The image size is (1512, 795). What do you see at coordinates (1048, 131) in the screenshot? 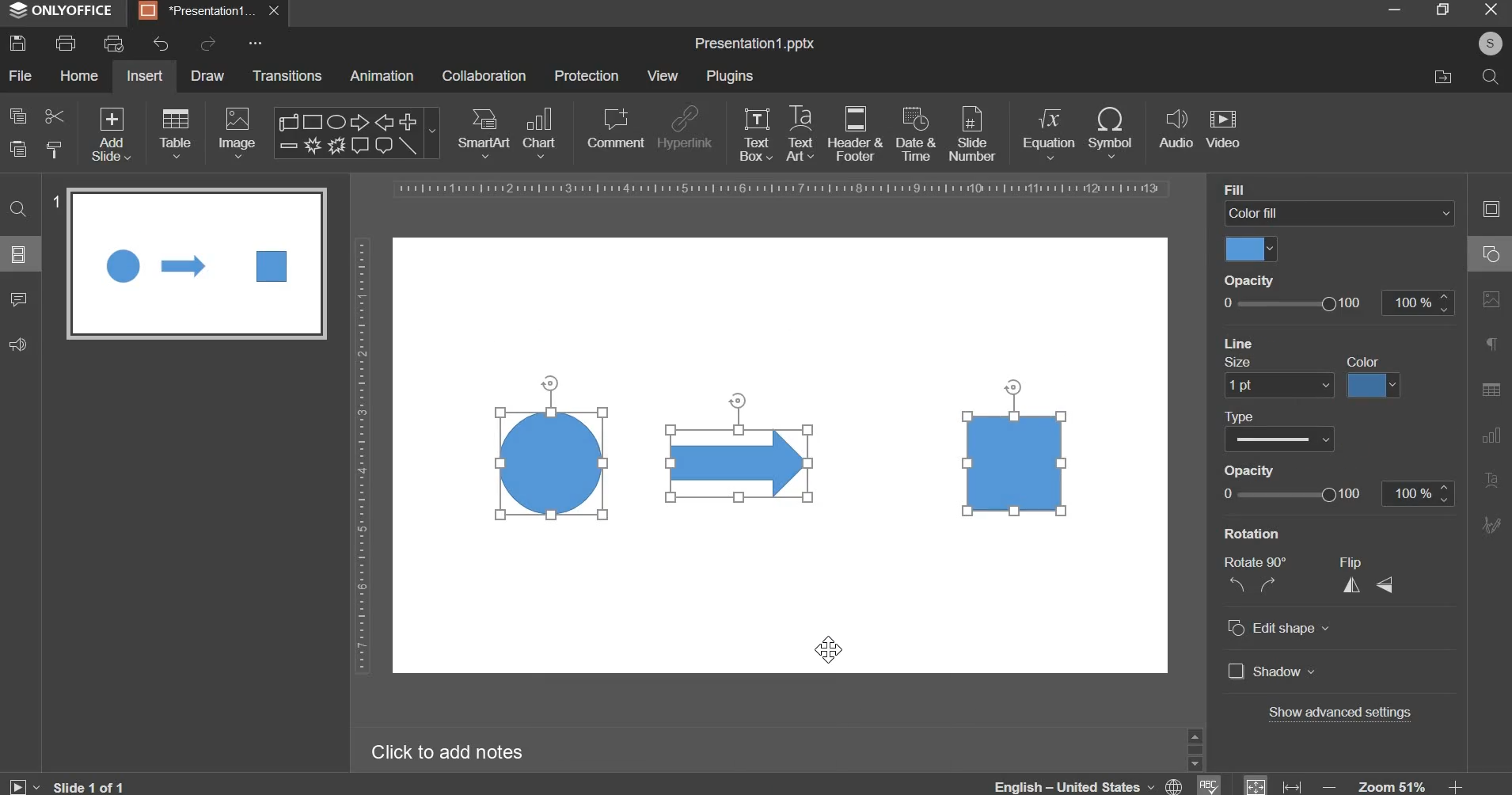
I see `equation` at bounding box center [1048, 131].